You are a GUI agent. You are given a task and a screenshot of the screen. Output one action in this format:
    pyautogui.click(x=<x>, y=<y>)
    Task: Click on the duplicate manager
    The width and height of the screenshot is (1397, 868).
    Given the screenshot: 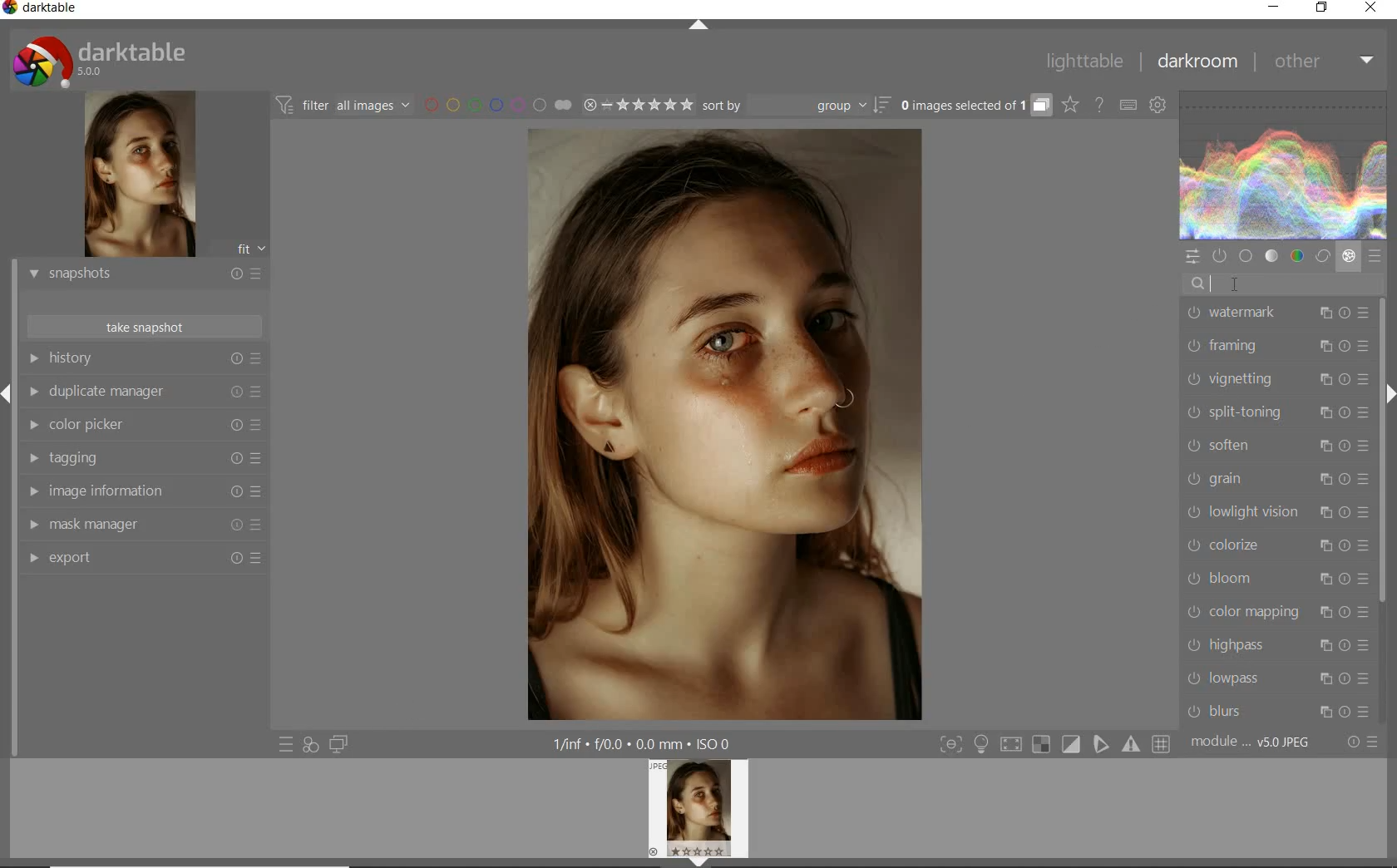 What is the action you would take?
    pyautogui.click(x=144, y=394)
    